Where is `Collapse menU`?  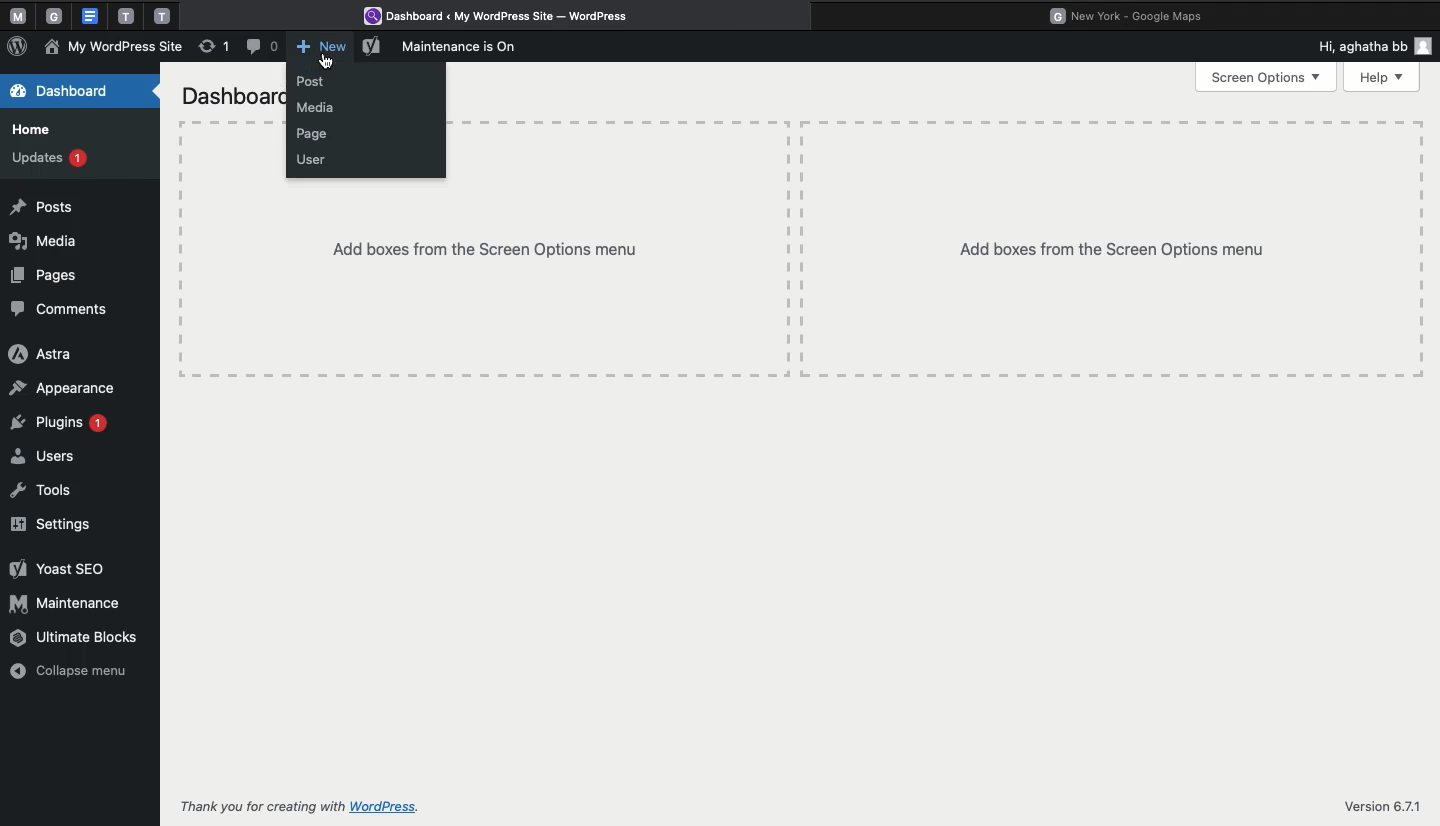
Collapse menU is located at coordinates (76, 672).